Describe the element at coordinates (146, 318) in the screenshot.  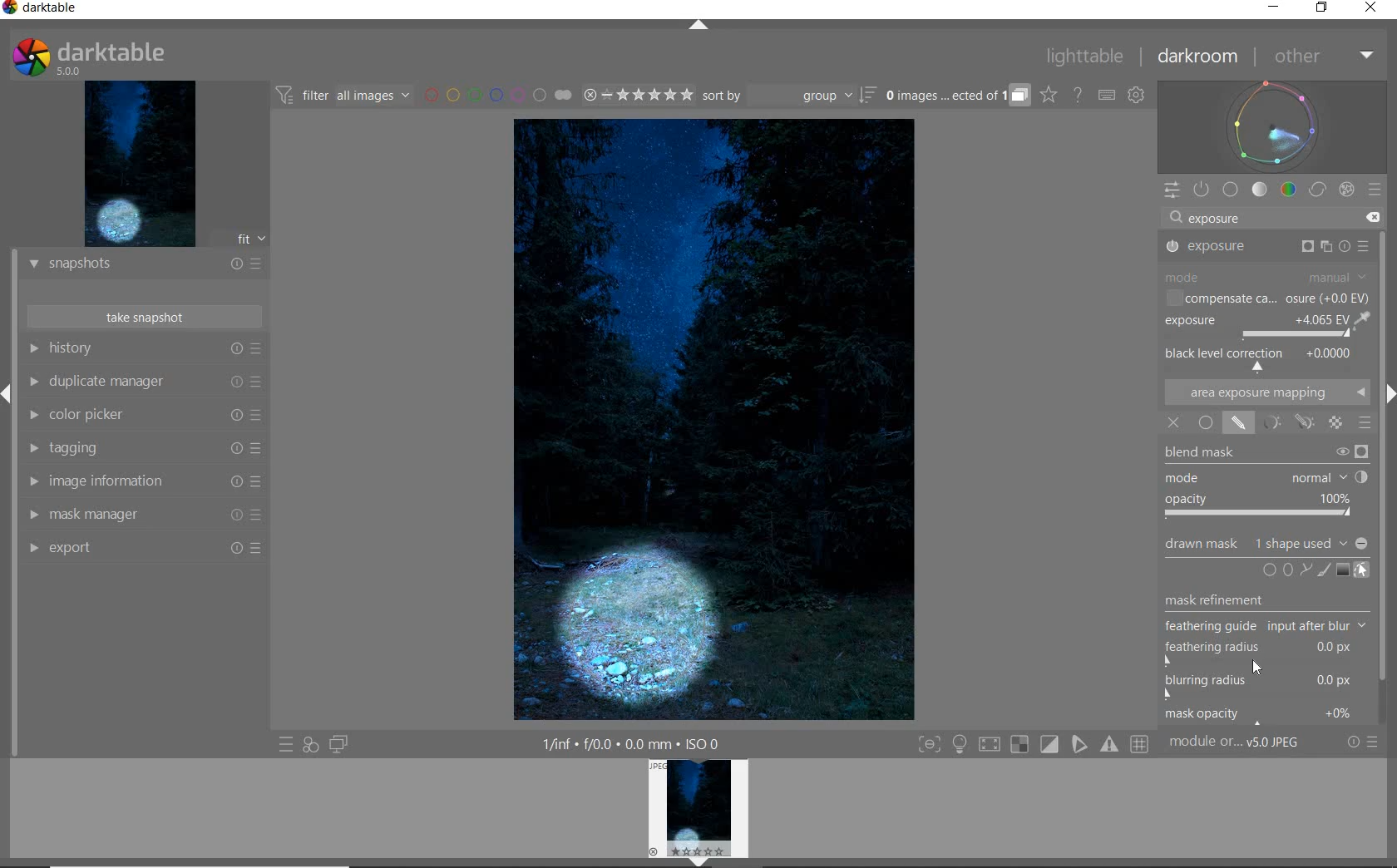
I see `TAKE SNAPSHOT` at that location.